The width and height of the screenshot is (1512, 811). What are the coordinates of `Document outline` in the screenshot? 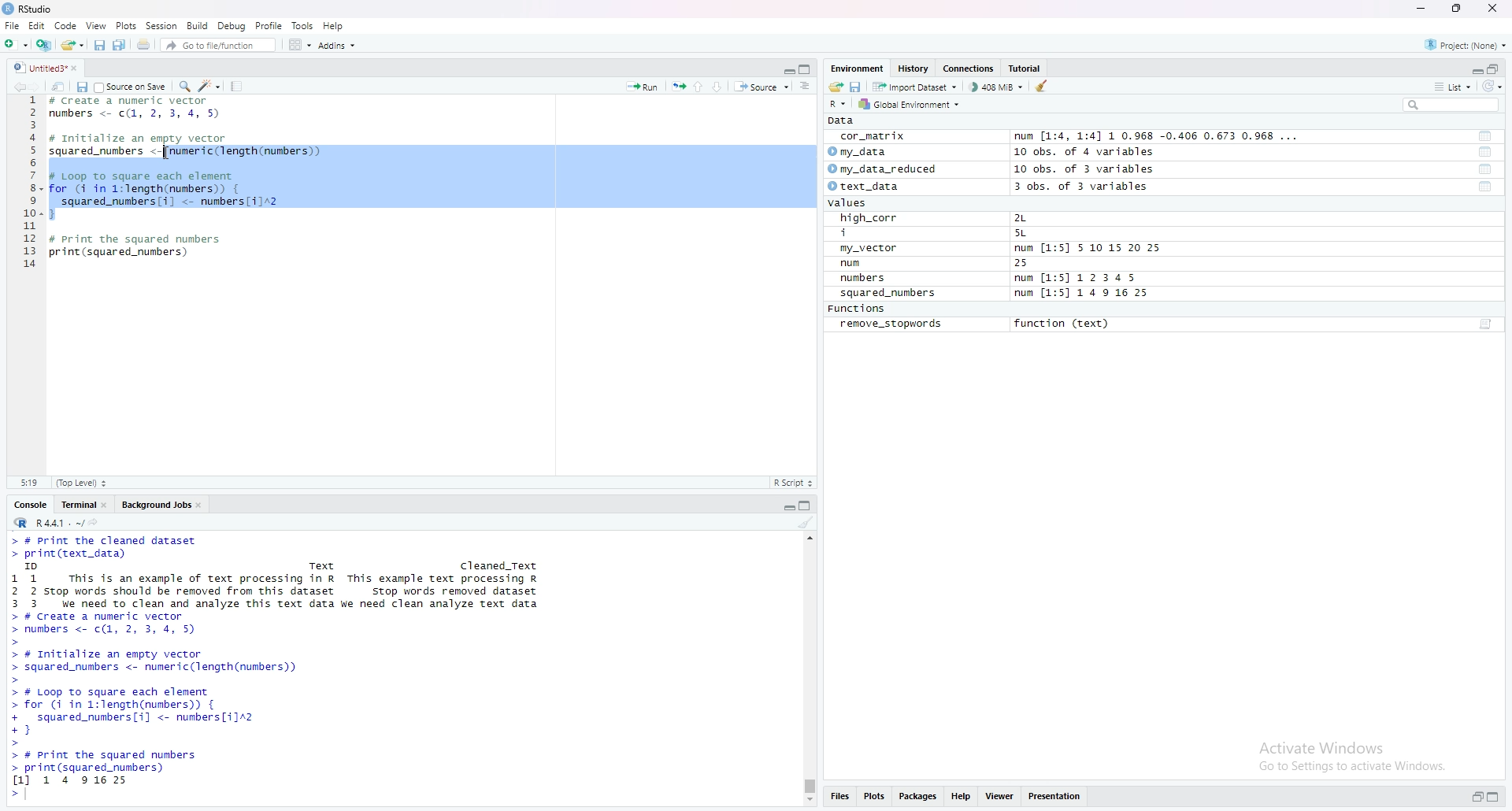 It's located at (806, 86).